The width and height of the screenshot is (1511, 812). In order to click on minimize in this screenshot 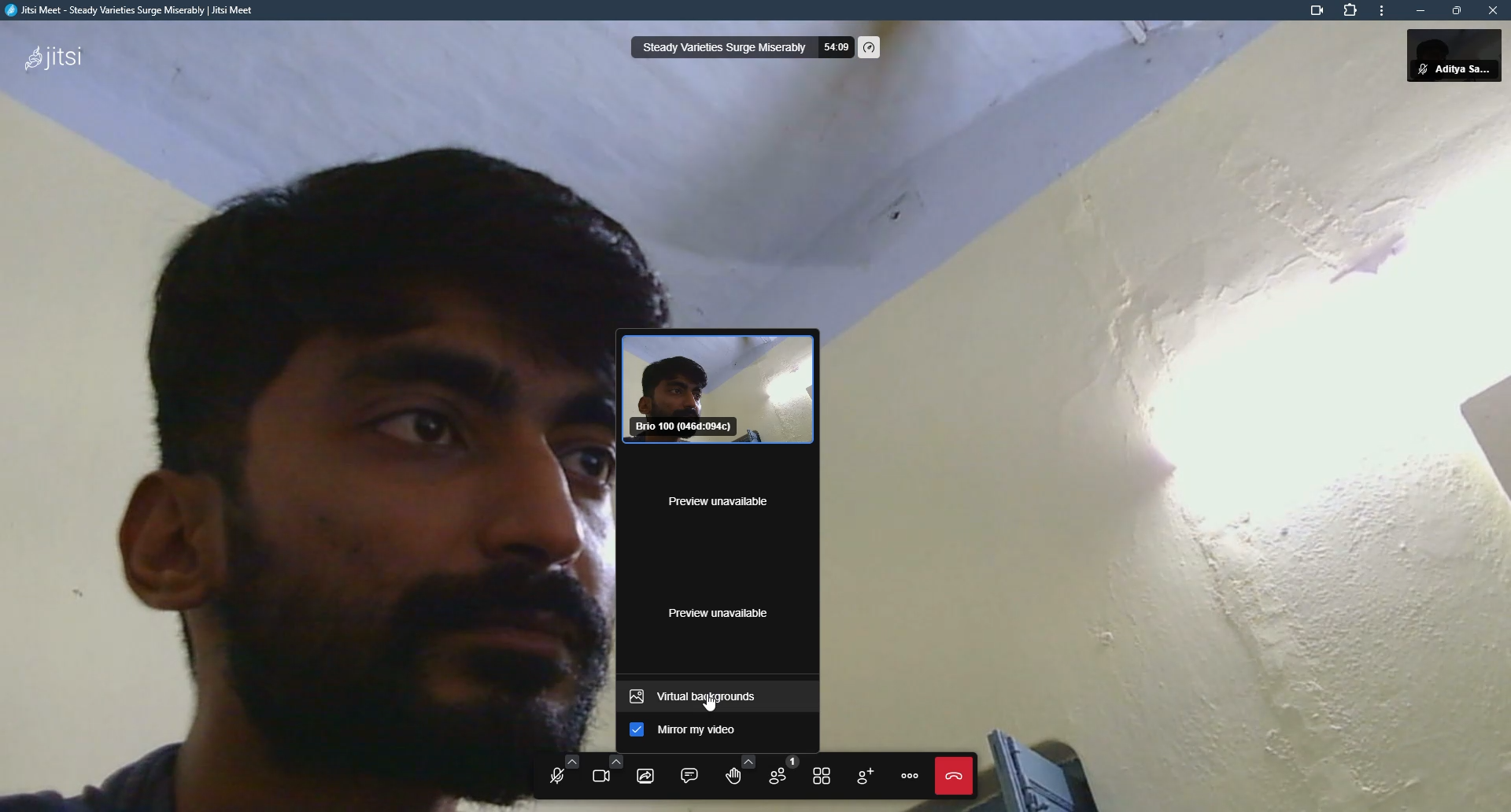, I will do `click(1417, 11)`.